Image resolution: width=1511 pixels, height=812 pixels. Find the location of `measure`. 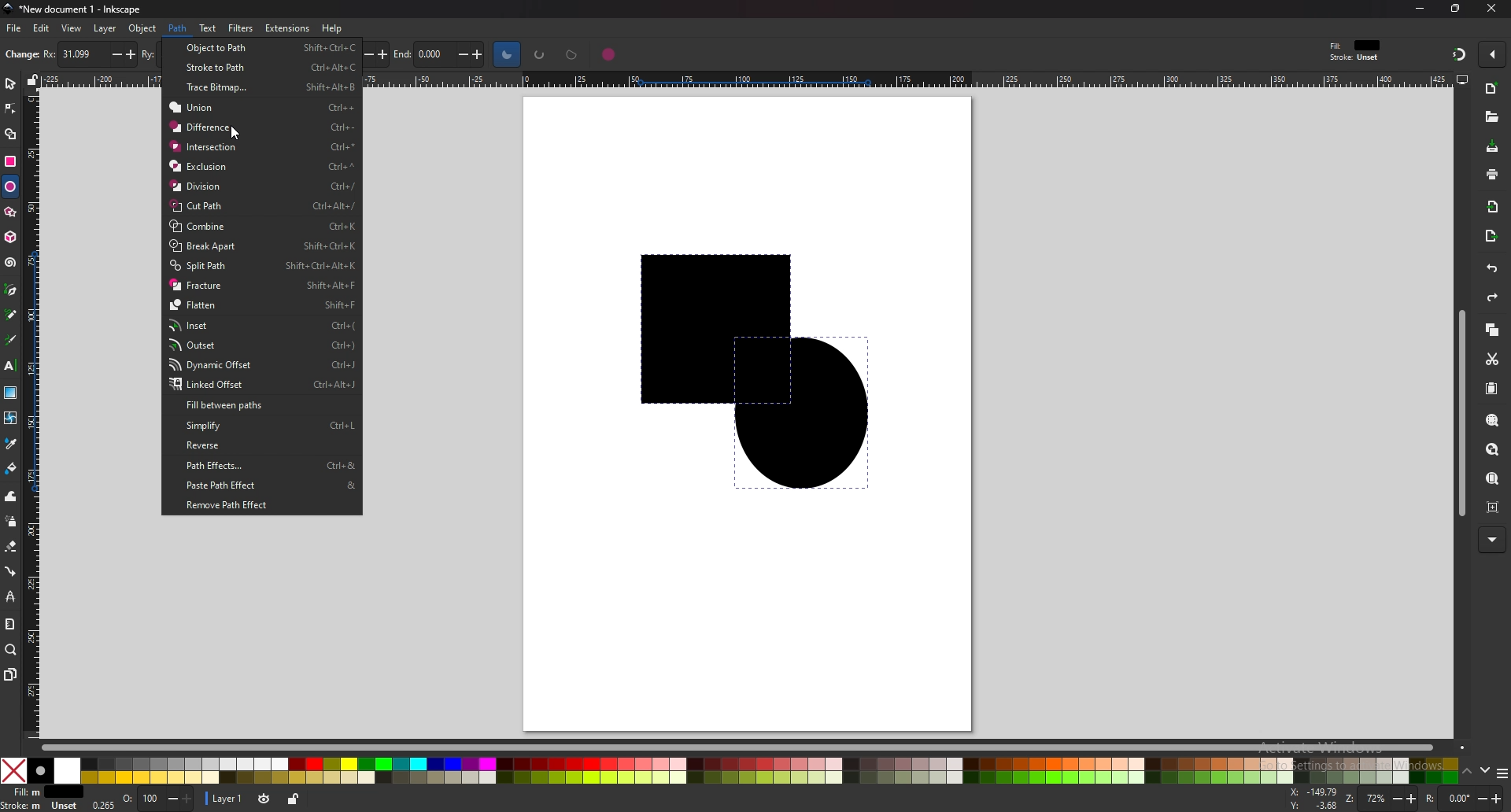

measure is located at coordinates (11, 625).